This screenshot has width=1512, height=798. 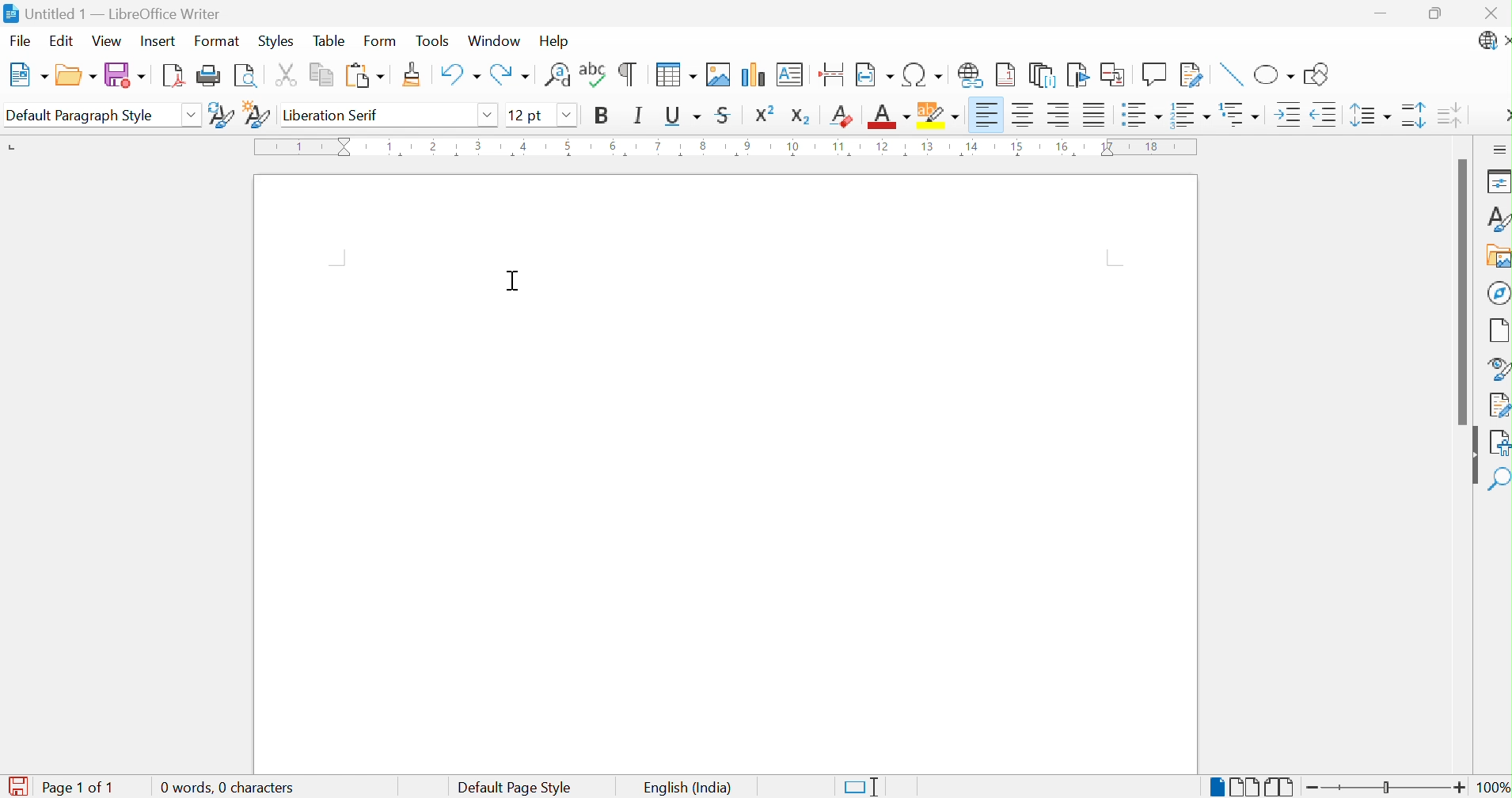 What do you see at coordinates (284, 74) in the screenshot?
I see `Cut` at bounding box center [284, 74].